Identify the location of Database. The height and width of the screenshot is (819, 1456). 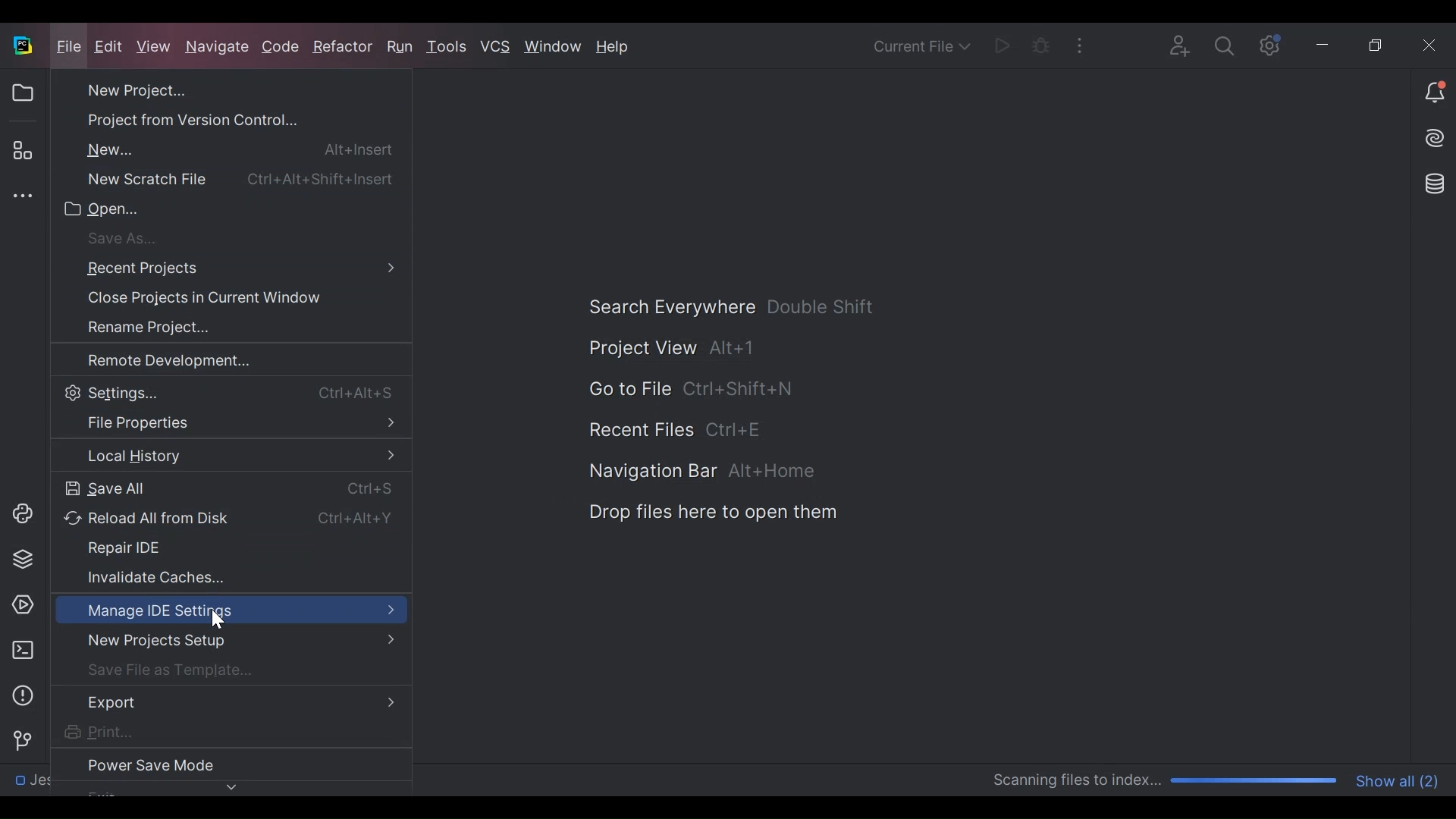
(1437, 184).